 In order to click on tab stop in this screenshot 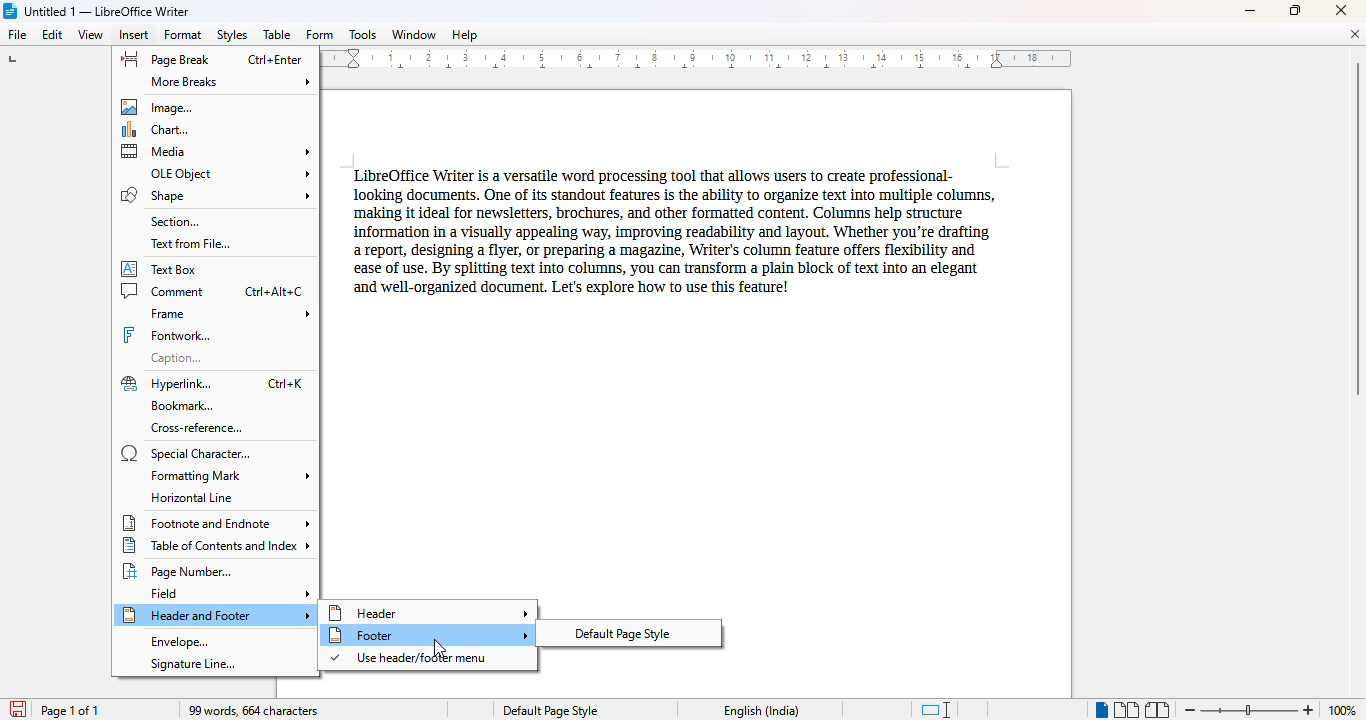, I will do `click(15, 61)`.